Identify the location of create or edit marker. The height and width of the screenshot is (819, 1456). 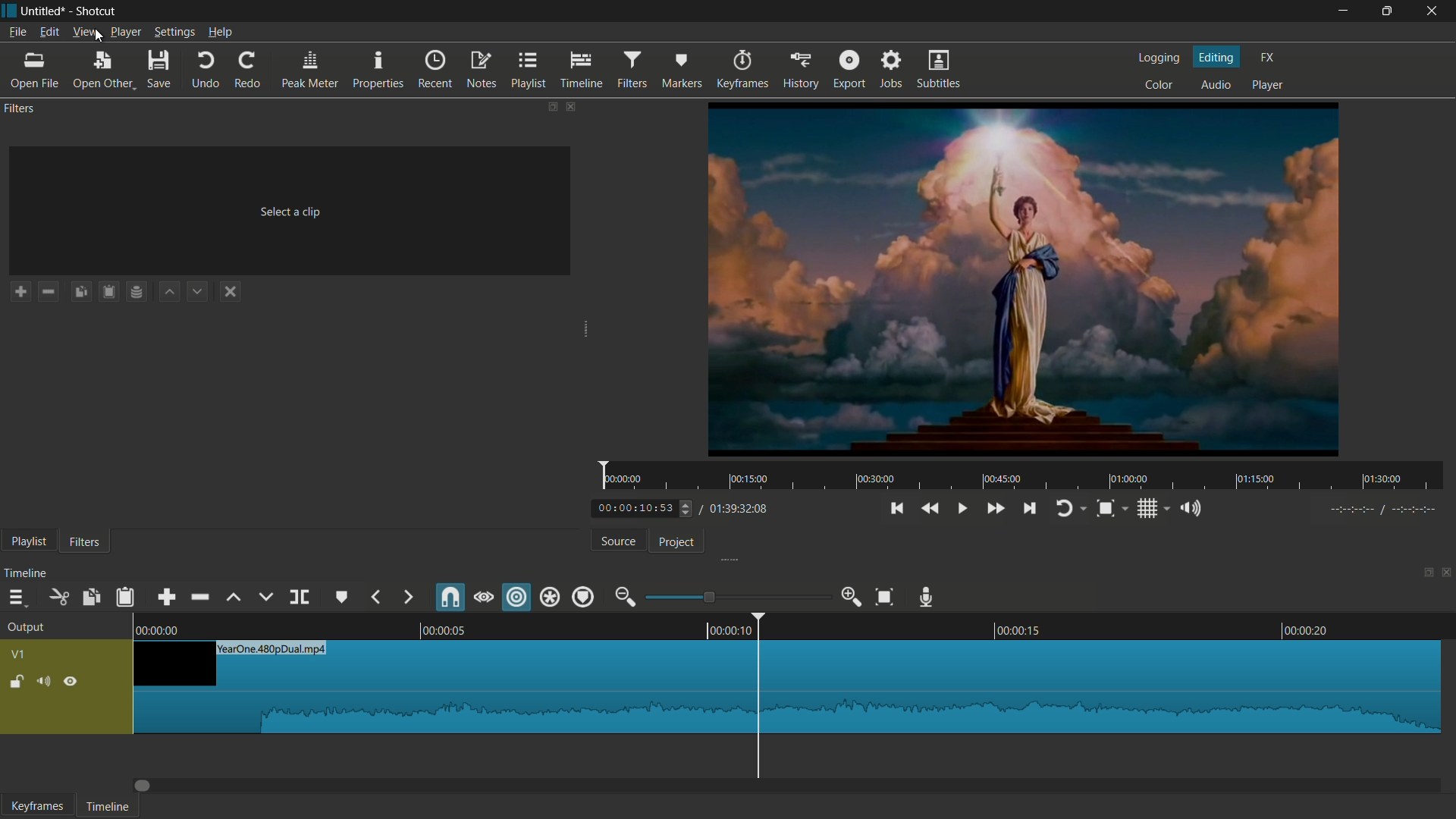
(343, 598).